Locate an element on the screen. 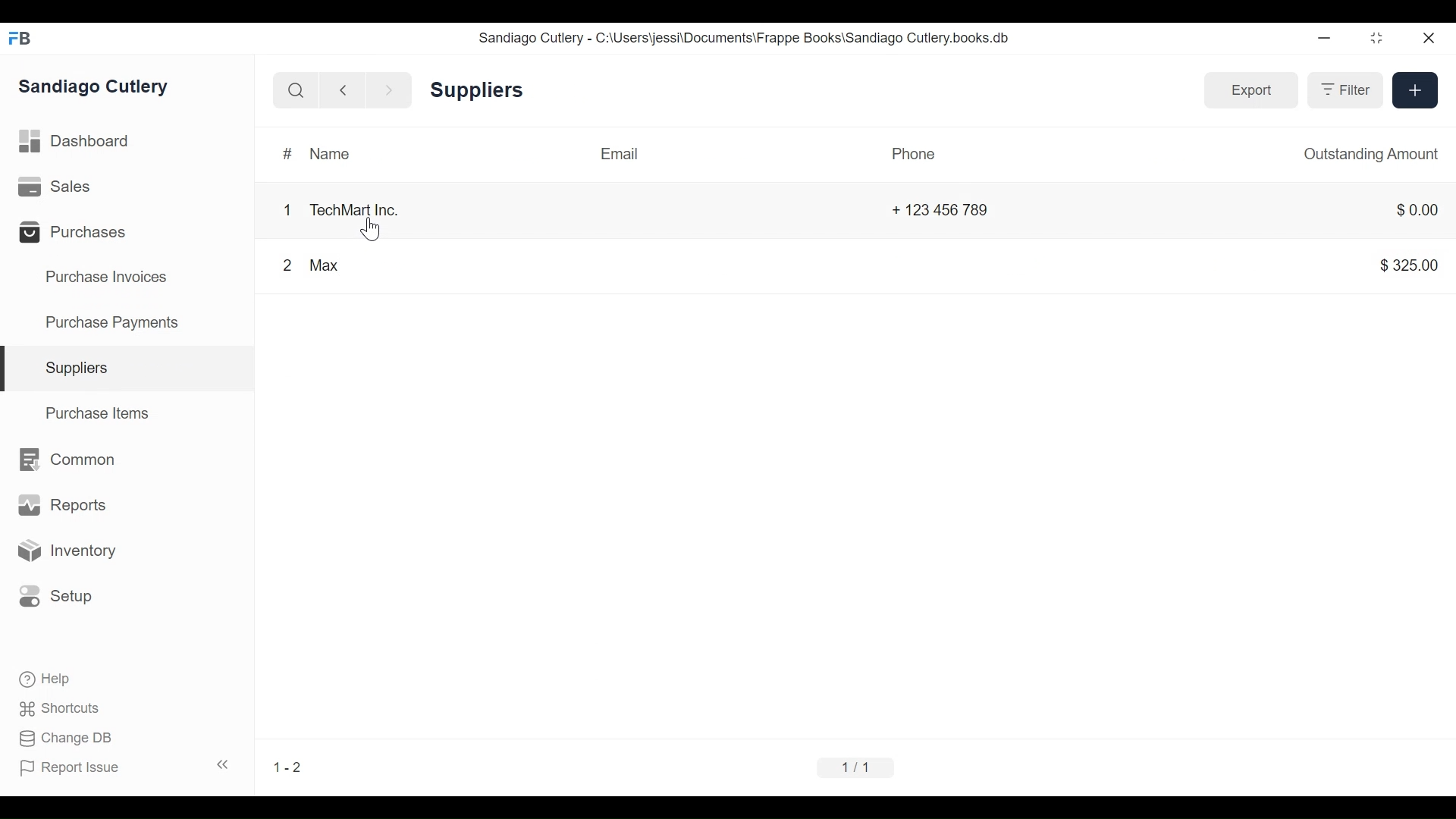 This screenshot has height=819, width=1456. Sandiago Cutlery is located at coordinates (99, 88).